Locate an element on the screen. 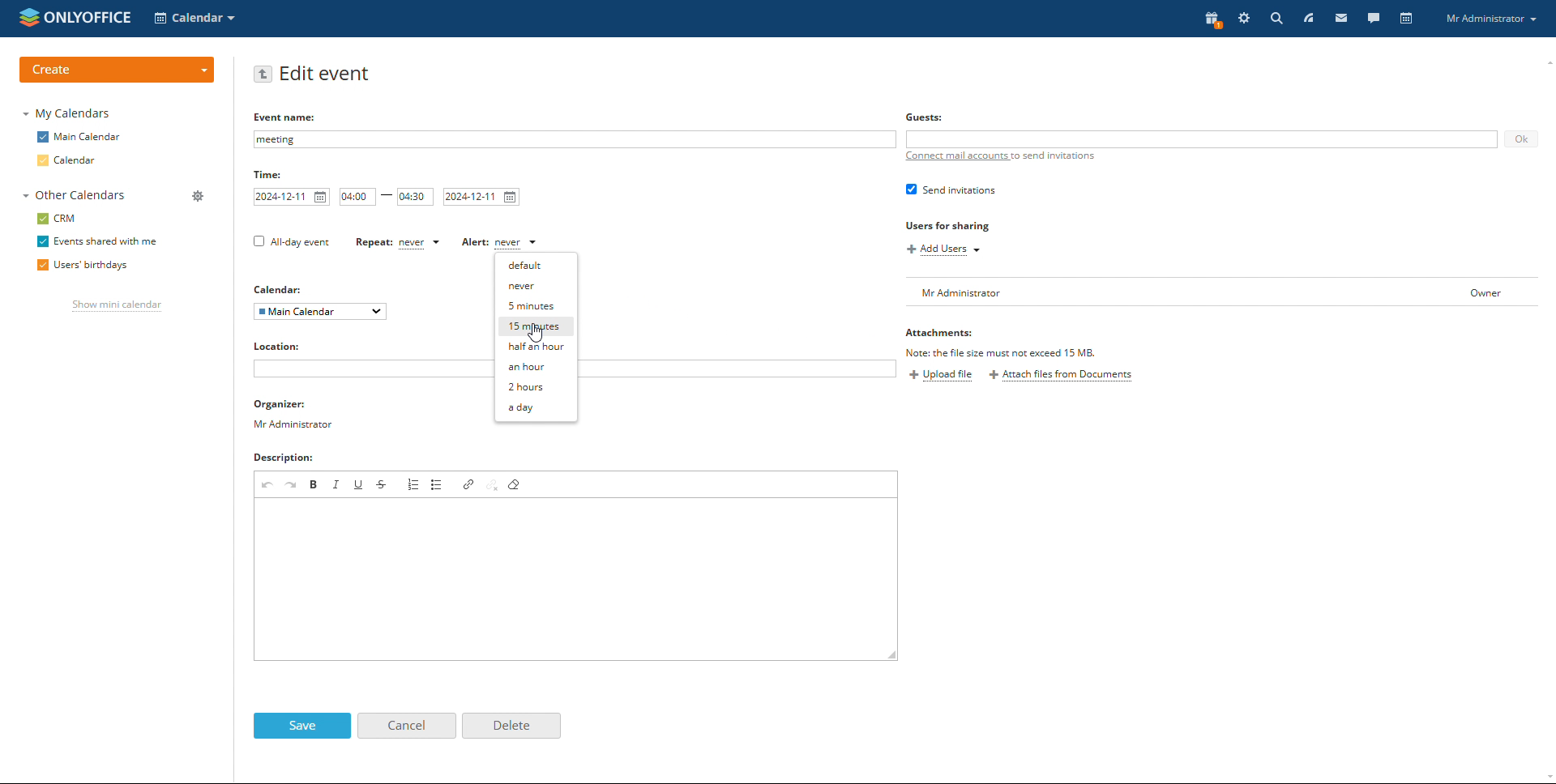 Image resolution: width=1556 pixels, height=784 pixels. select application is located at coordinates (196, 18).